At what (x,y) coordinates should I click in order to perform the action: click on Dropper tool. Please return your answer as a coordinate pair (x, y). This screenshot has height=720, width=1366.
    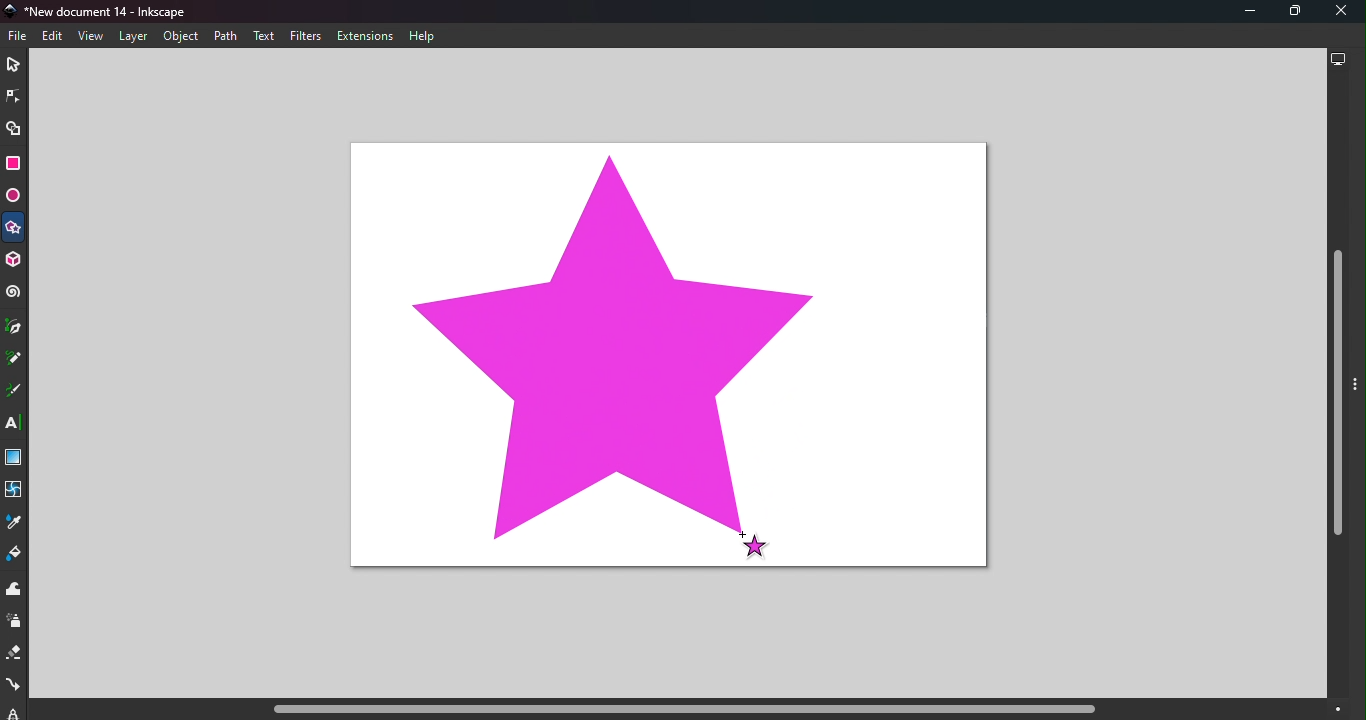
    Looking at the image, I should click on (12, 526).